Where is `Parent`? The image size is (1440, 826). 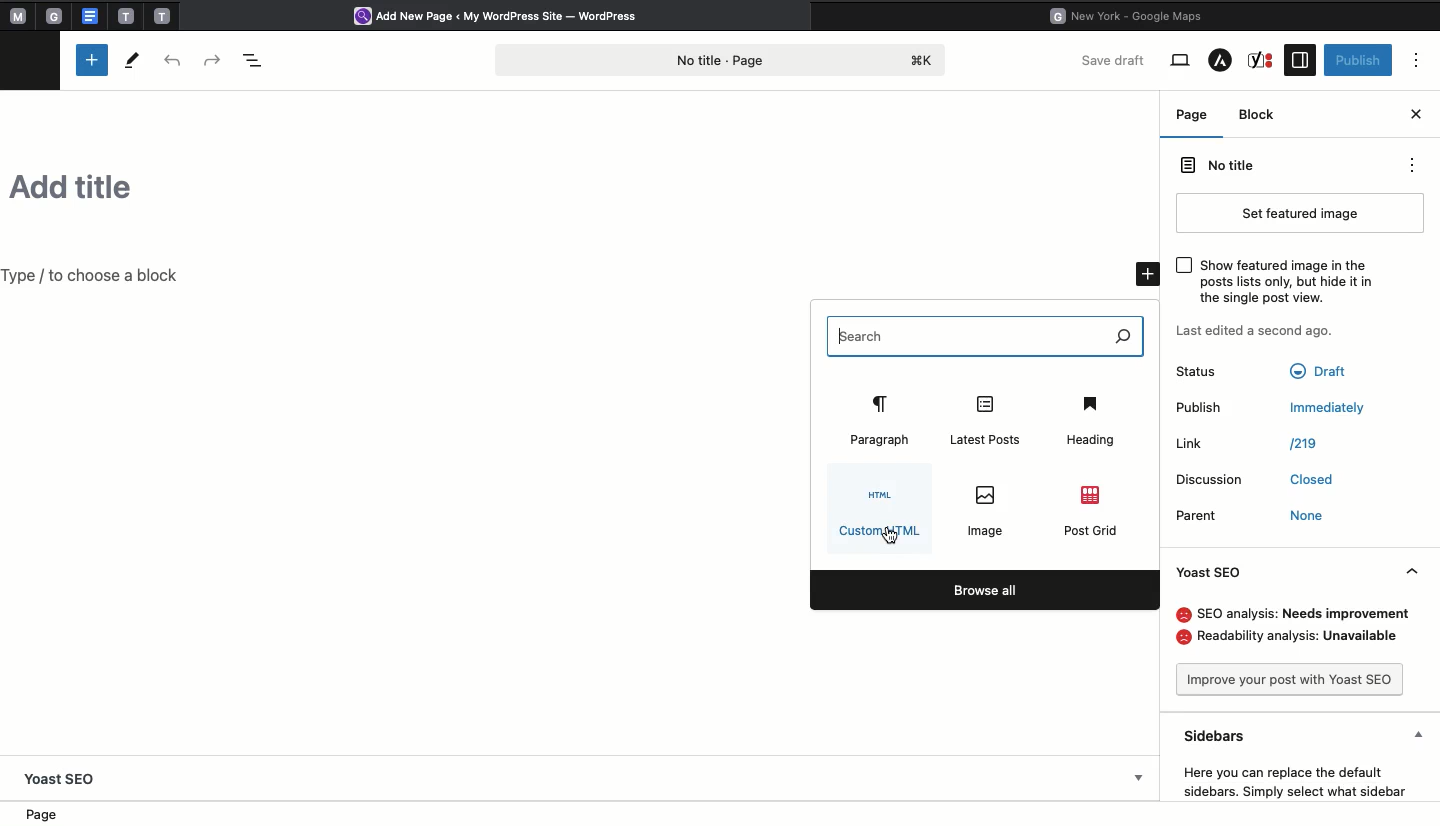
Parent is located at coordinates (1254, 516).